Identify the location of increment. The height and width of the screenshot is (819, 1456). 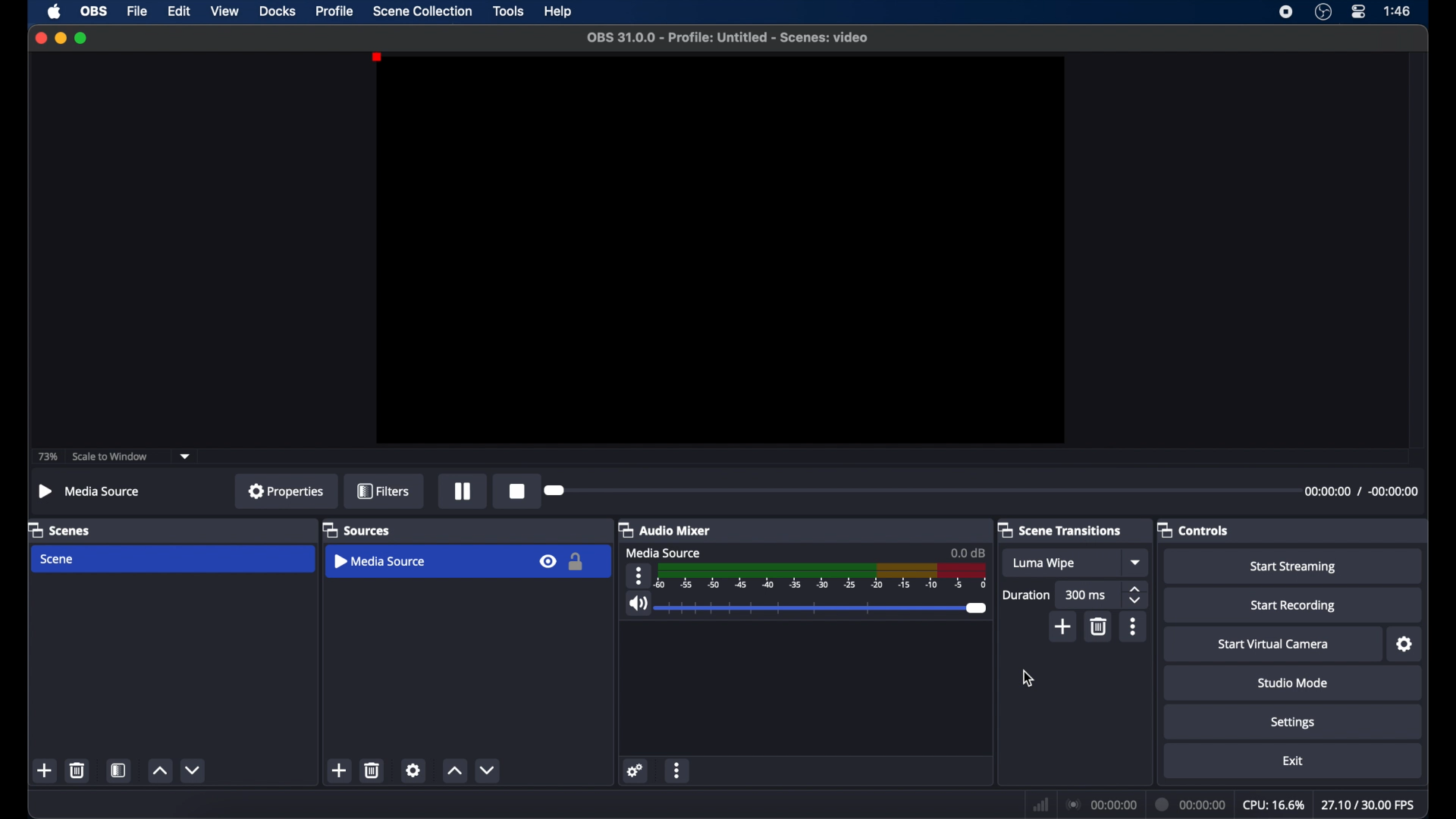
(160, 770).